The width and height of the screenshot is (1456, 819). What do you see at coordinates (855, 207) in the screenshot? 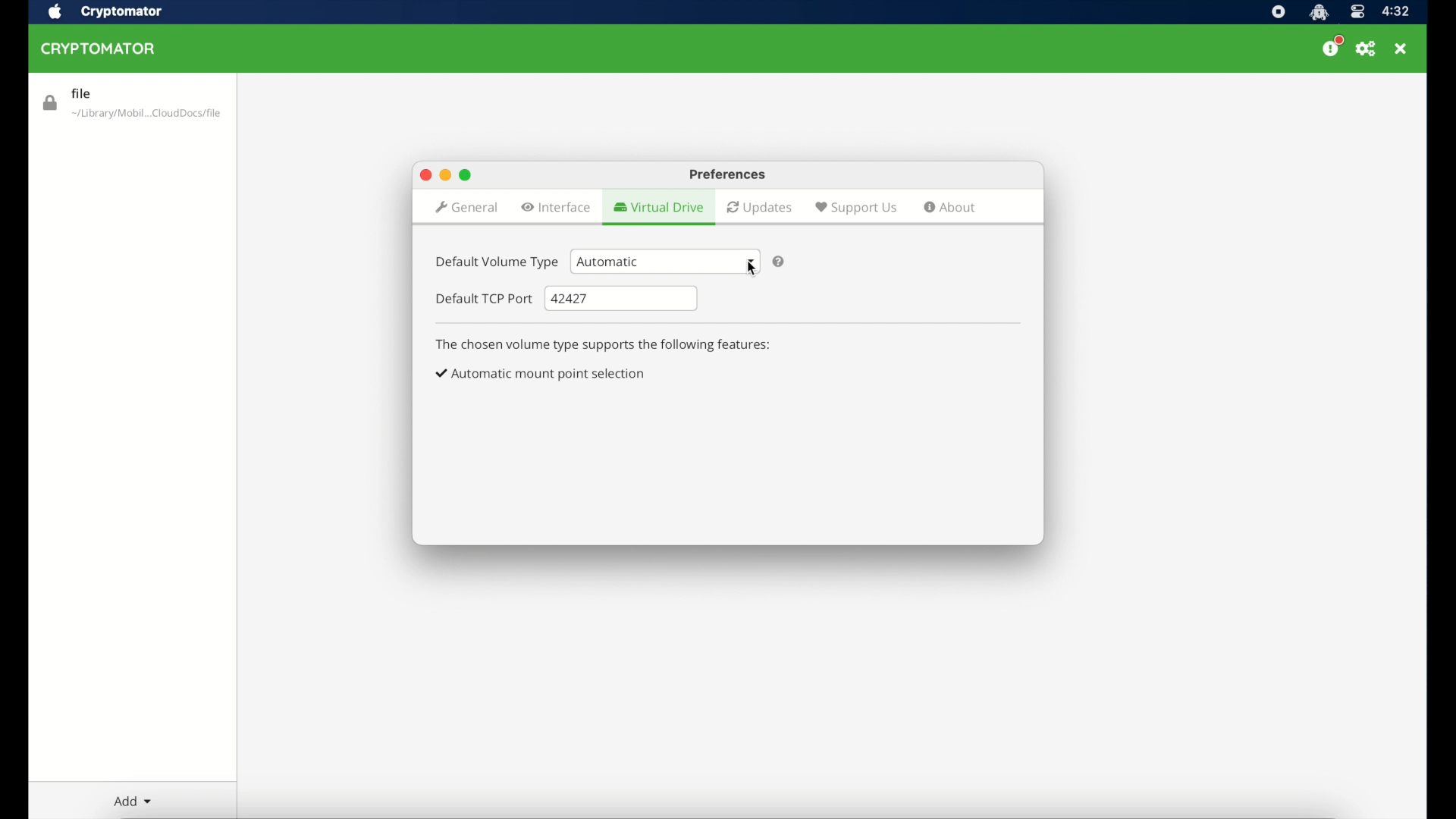
I see `support us` at bounding box center [855, 207].